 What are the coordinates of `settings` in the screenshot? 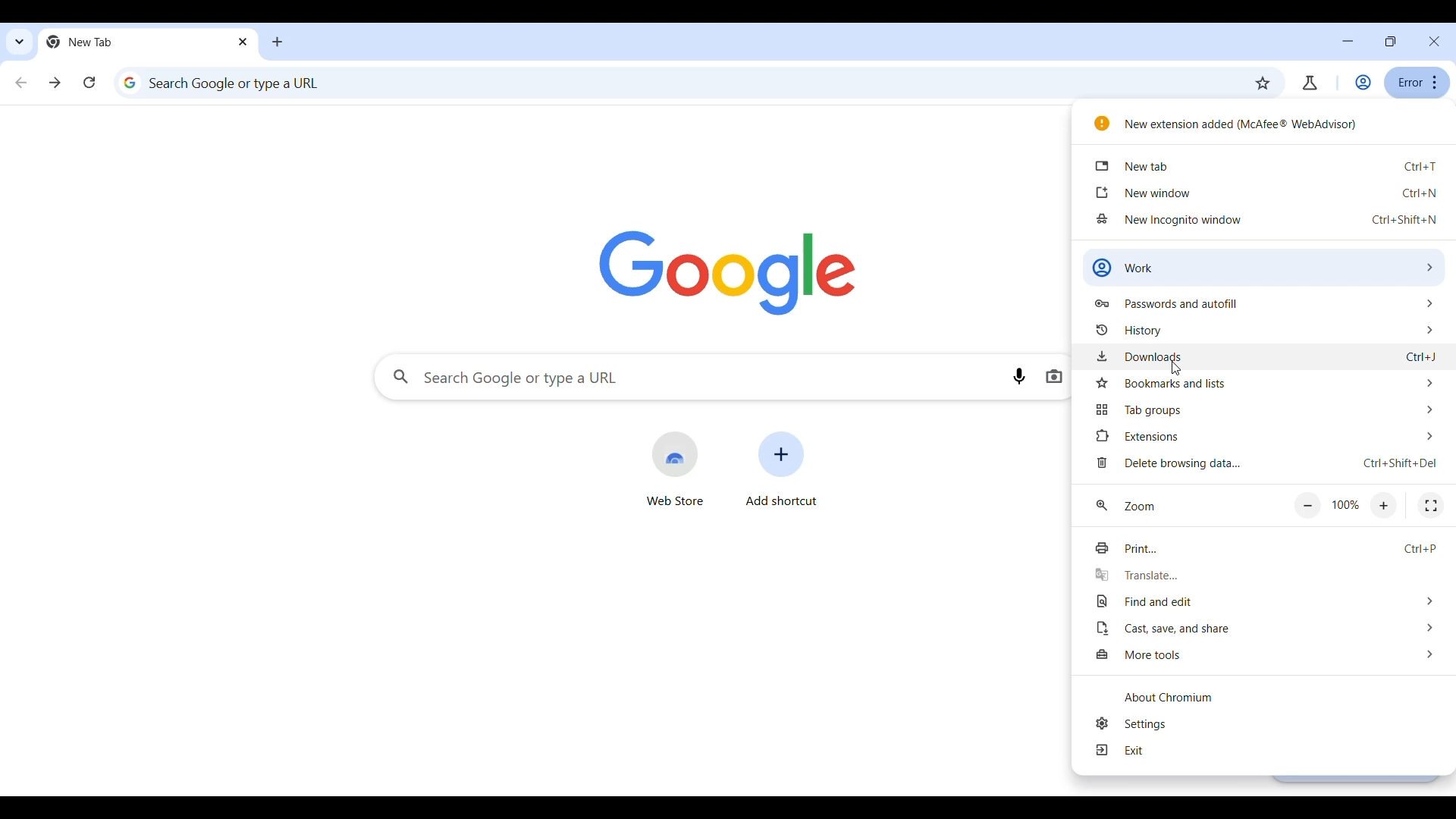 It's located at (1261, 723).